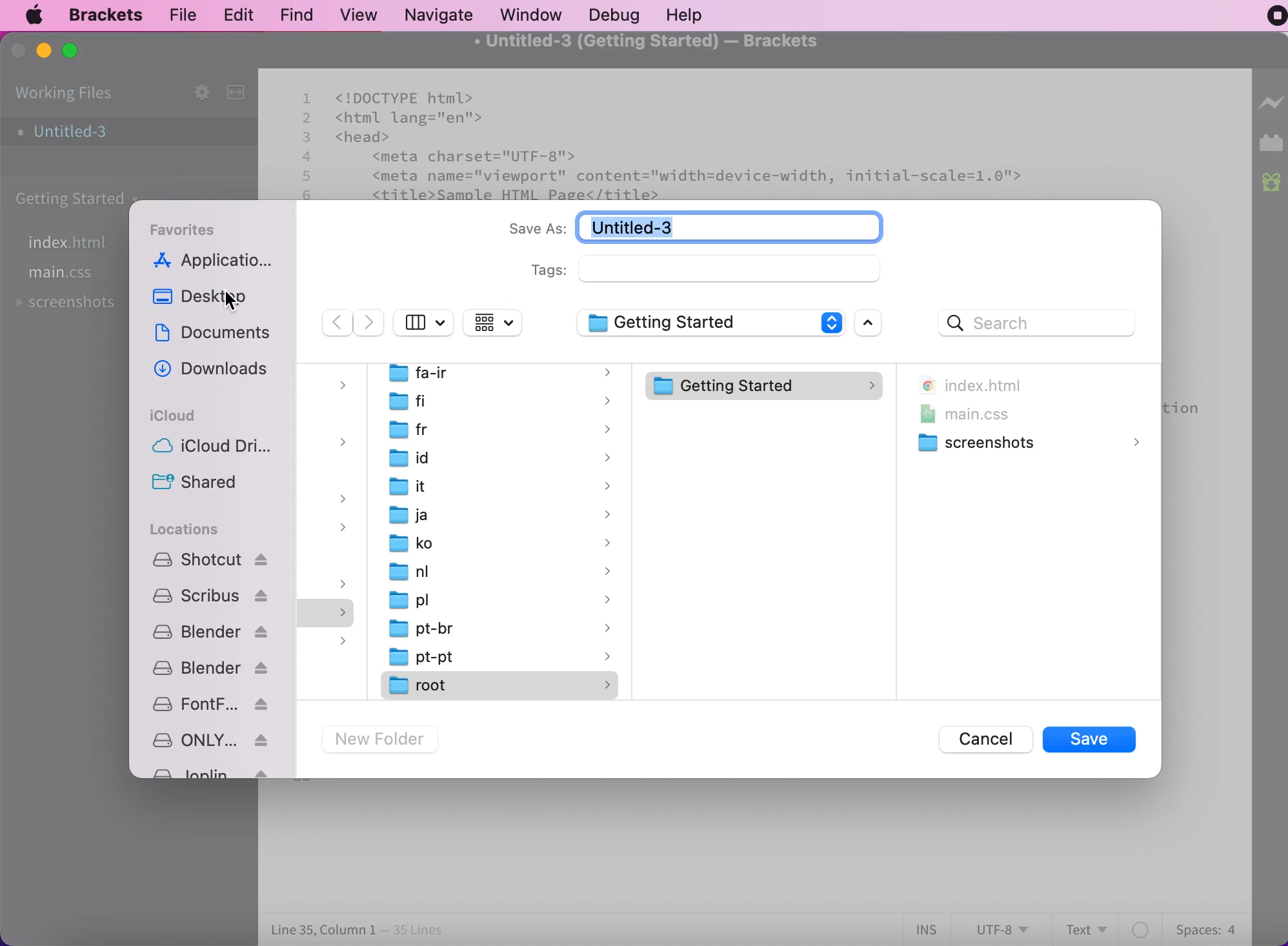 The image size is (1288, 946). Describe the element at coordinates (494, 324) in the screenshot. I see `change item grouping` at that location.